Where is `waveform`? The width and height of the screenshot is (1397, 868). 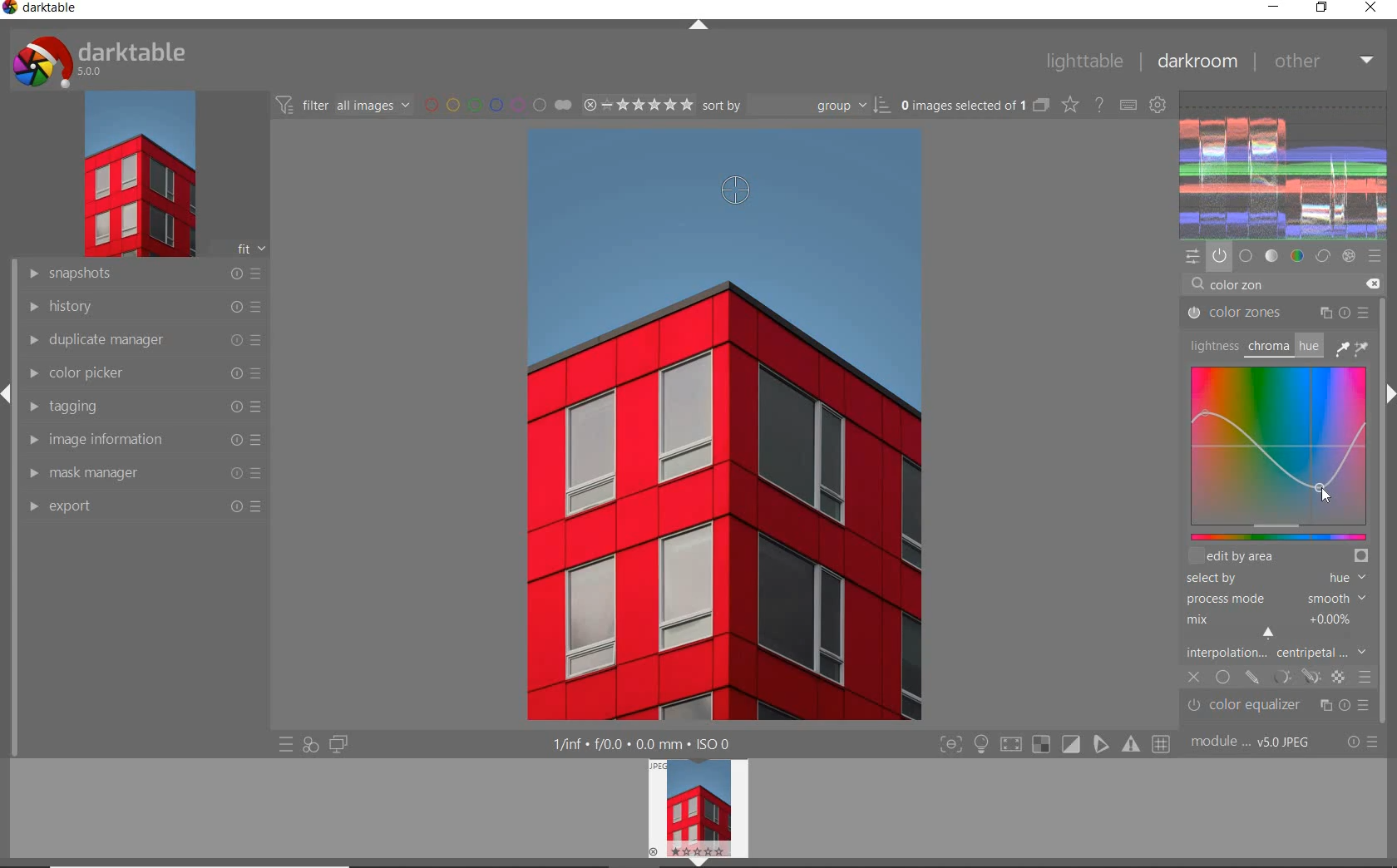 waveform is located at coordinates (1285, 163).